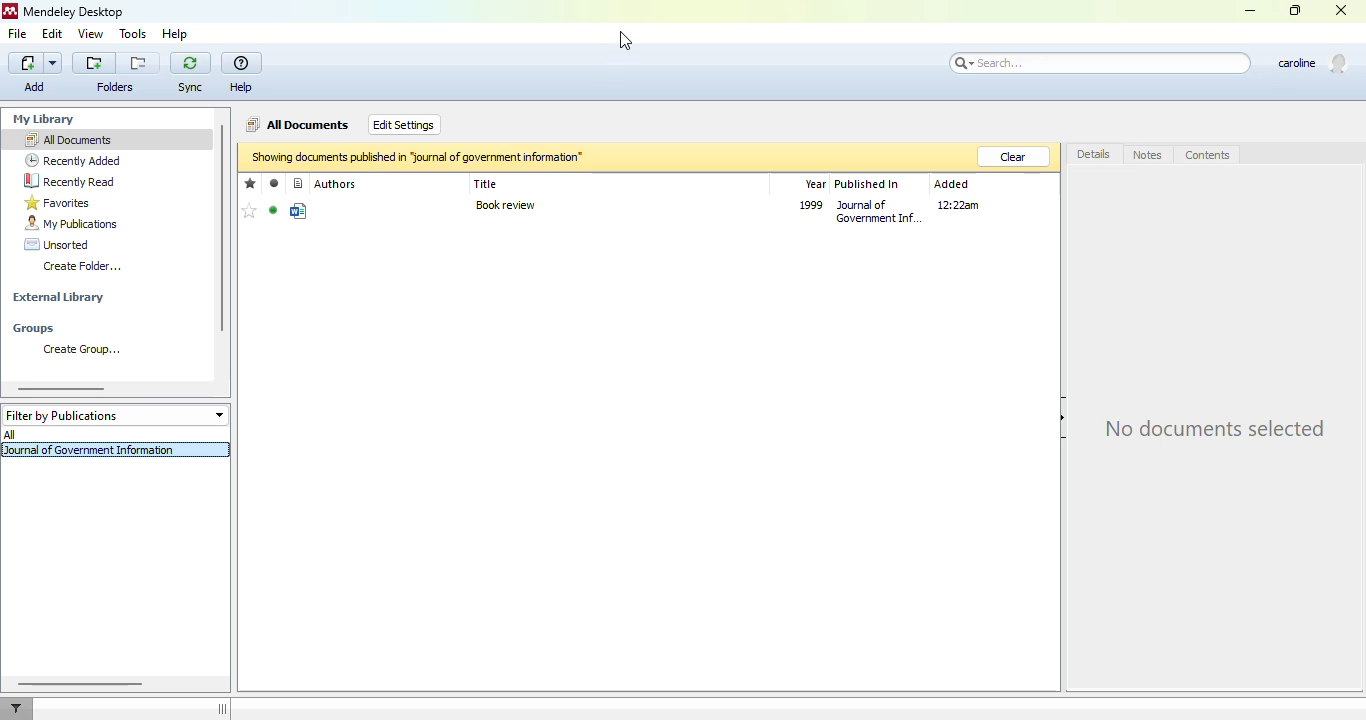  Describe the element at coordinates (251, 211) in the screenshot. I see `mark as favorites` at that location.